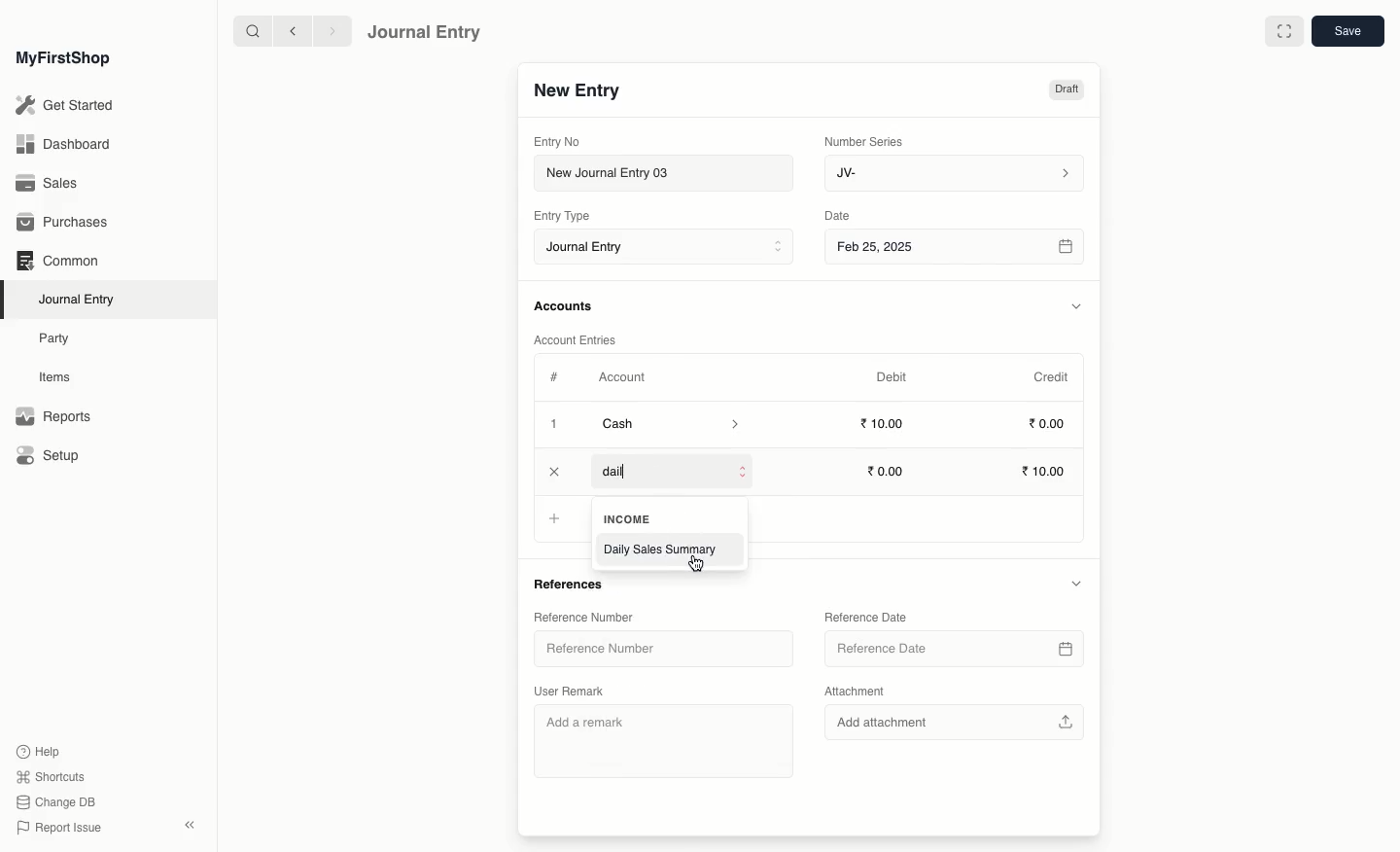  I want to click on Party, so click(55, 337).